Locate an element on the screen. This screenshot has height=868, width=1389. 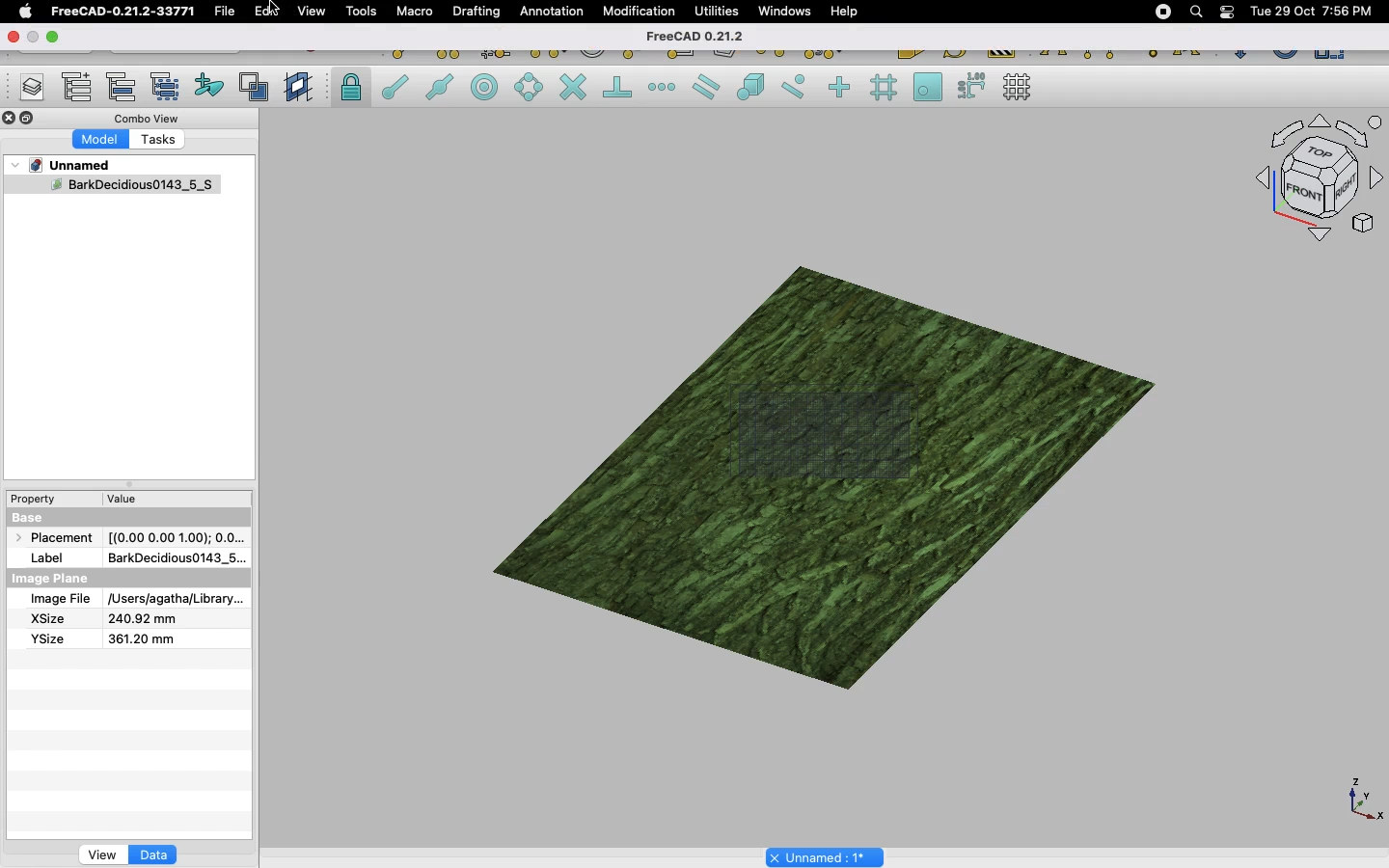
minimise is located at coordinates (33, 36).